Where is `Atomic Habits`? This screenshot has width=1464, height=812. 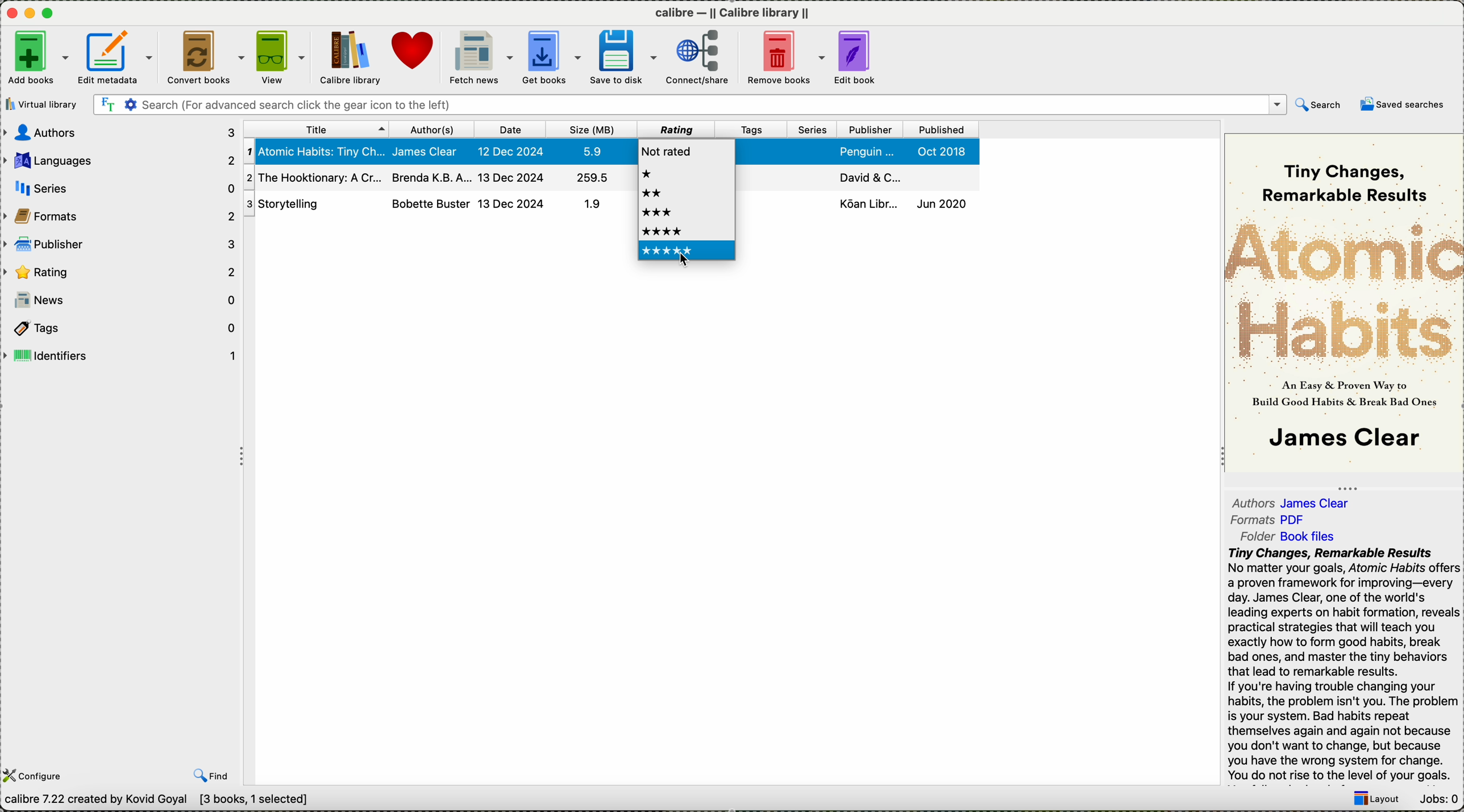 Atomic Habits is located at coordinates (1343, 287).